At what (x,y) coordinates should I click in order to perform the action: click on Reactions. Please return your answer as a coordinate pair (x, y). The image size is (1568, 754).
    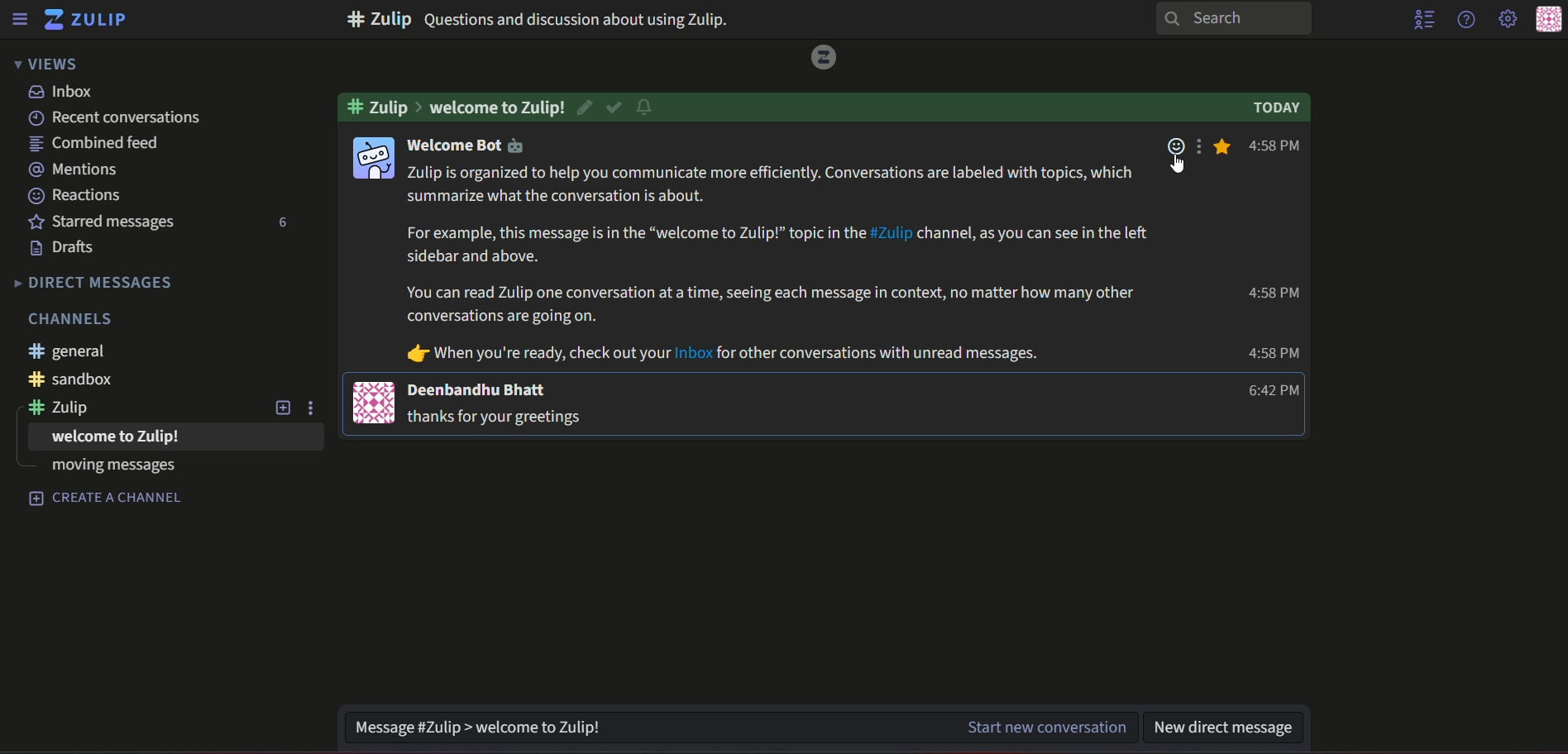
    Looking at the image, I should click on (75, 193).